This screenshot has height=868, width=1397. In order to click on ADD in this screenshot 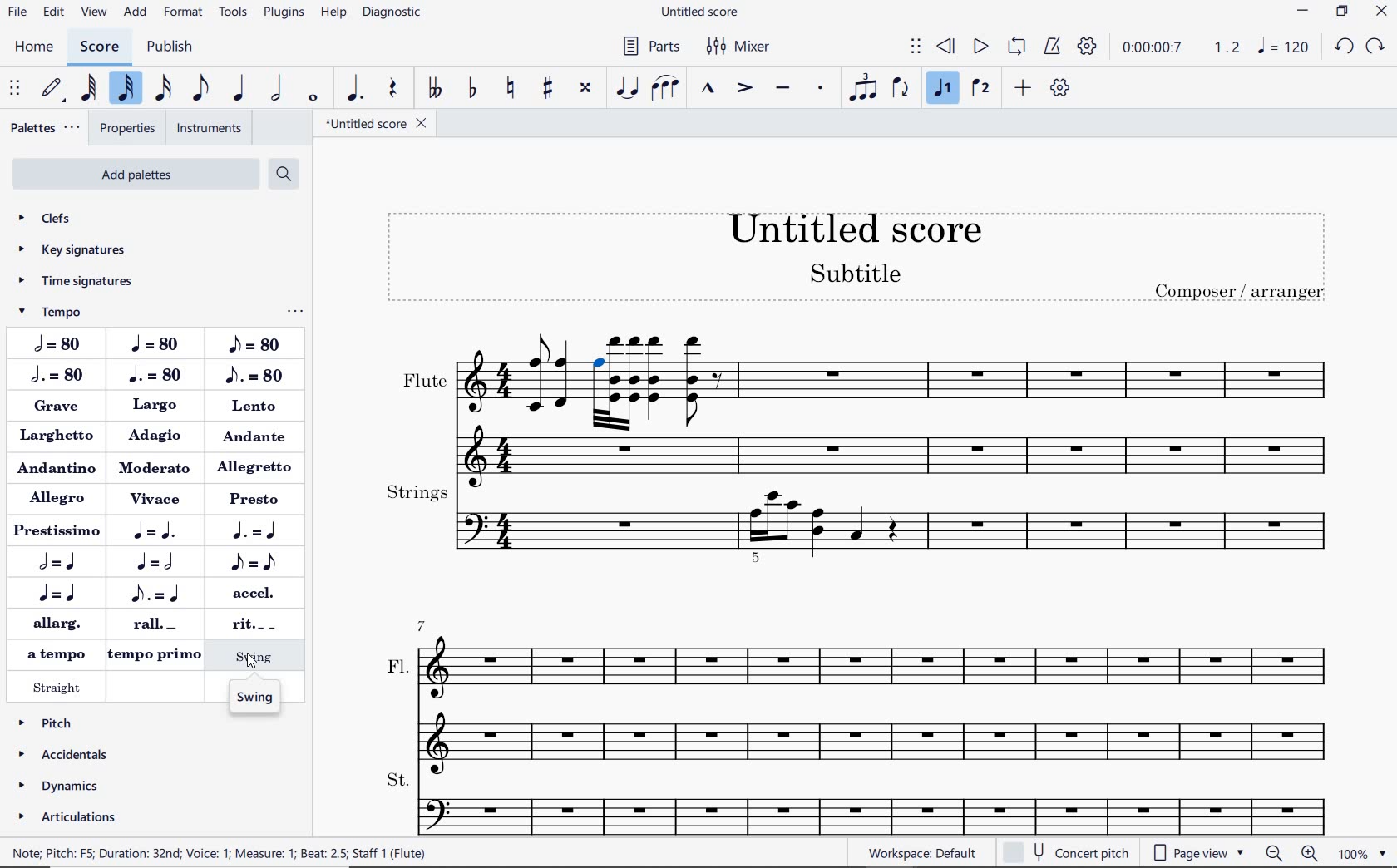, I will do `click(1024, 89)`.